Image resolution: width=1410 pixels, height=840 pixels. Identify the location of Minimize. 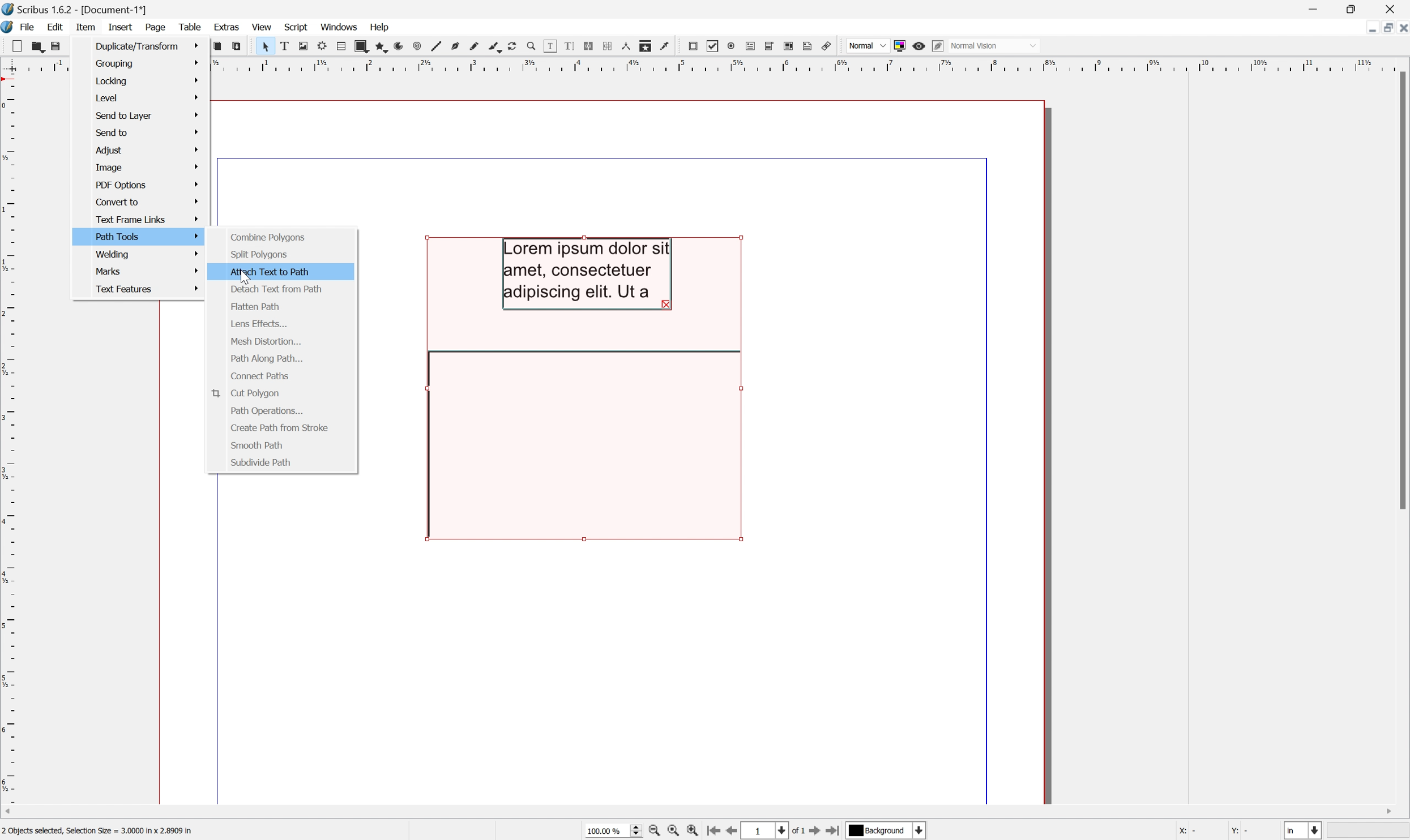
(1363, 27).